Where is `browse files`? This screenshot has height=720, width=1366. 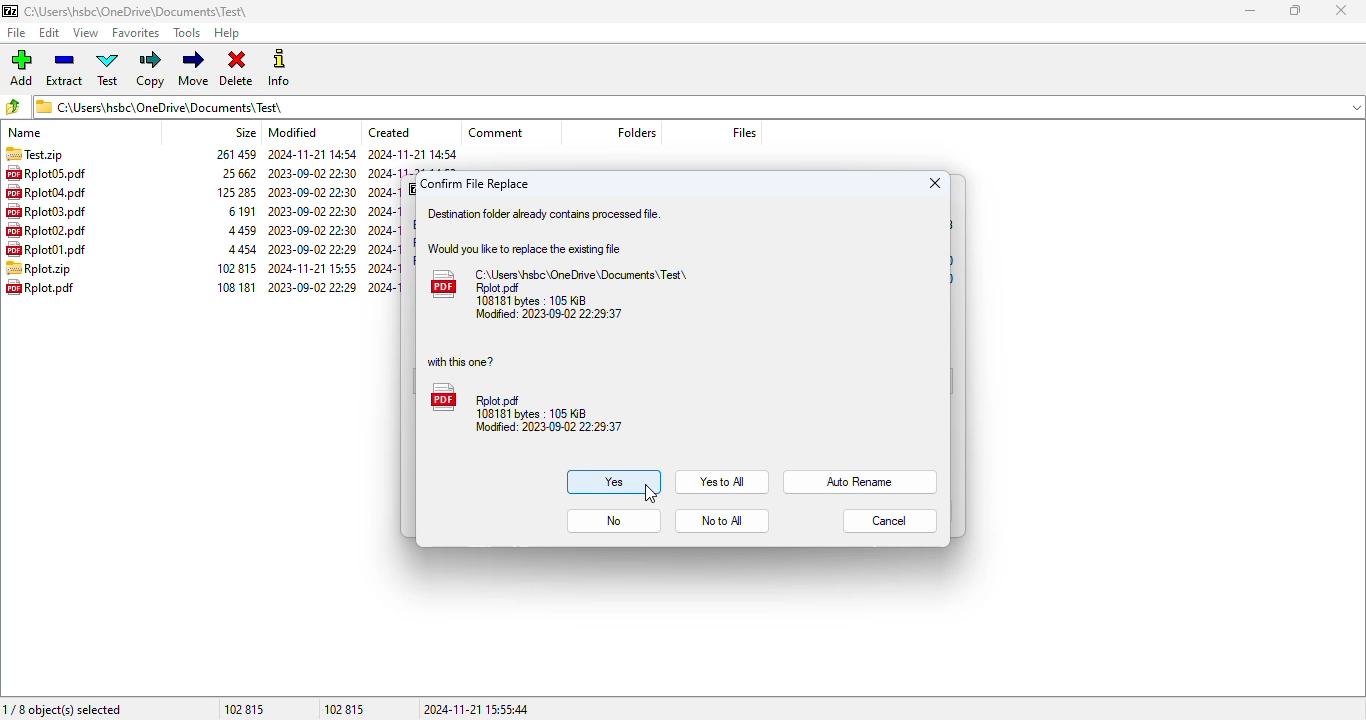
browse files is located at coordinates (12, 107).